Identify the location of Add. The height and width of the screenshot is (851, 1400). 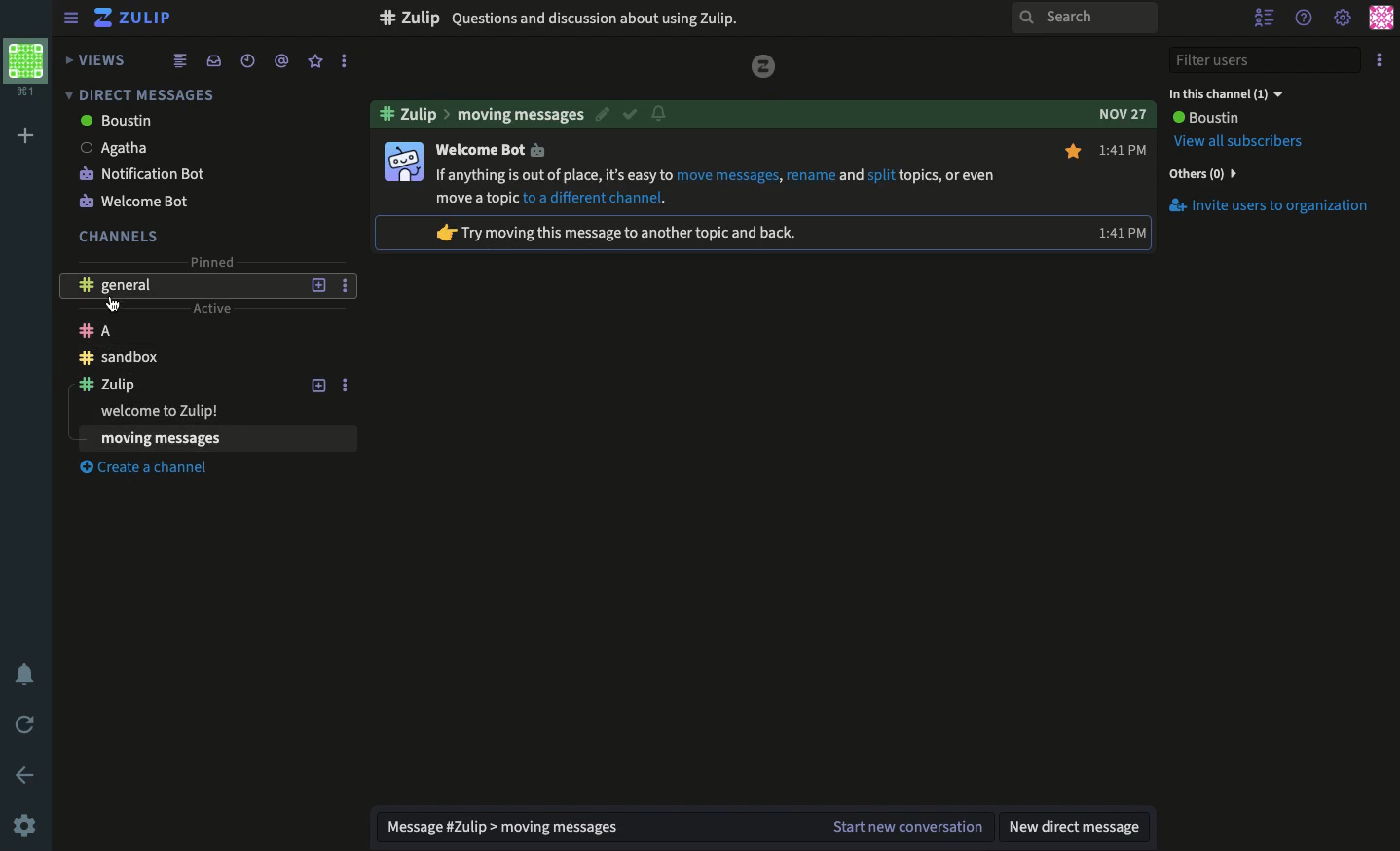
(26, 136).